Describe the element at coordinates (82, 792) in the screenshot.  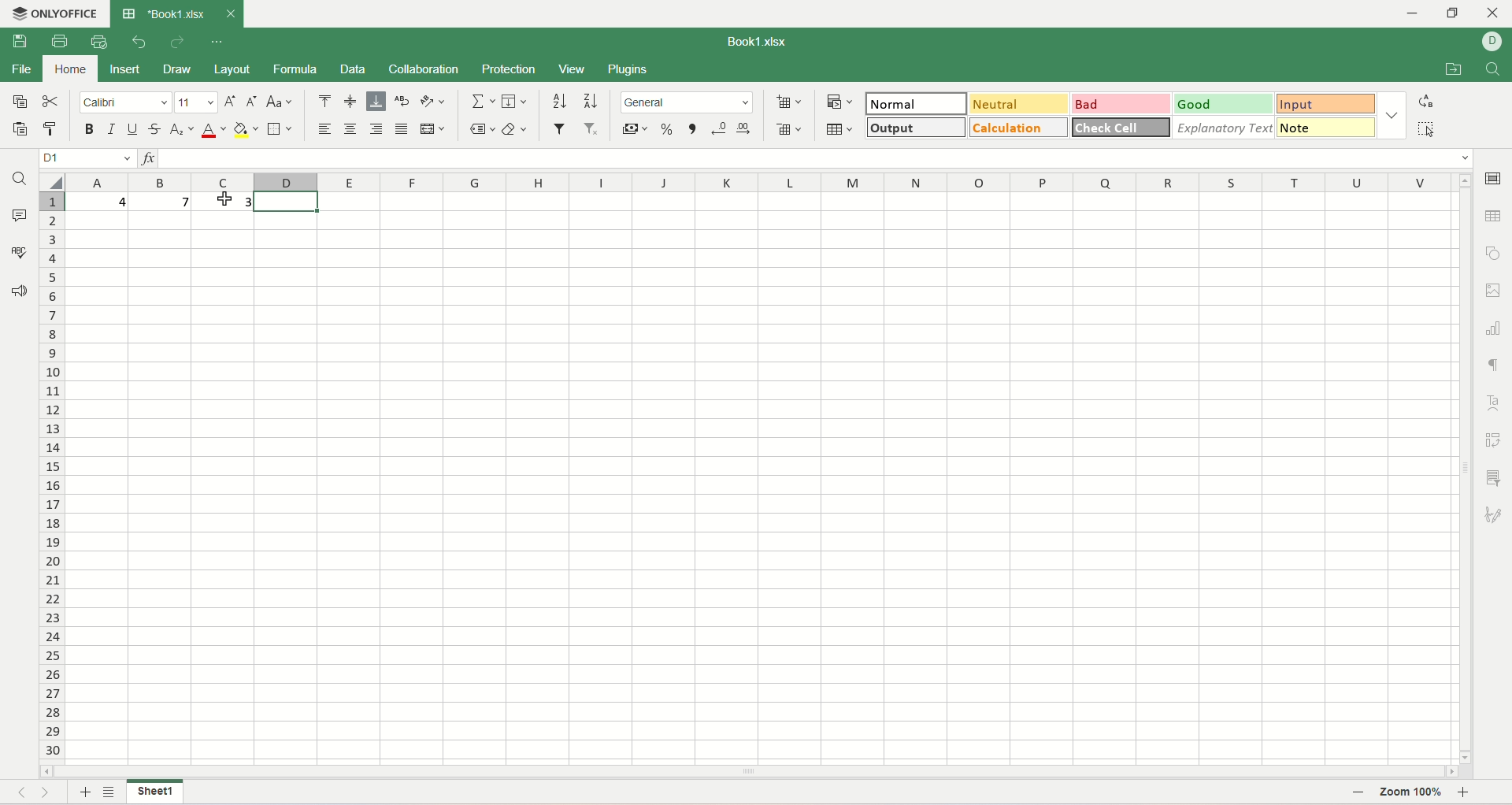
I see `add sheet` at that location.